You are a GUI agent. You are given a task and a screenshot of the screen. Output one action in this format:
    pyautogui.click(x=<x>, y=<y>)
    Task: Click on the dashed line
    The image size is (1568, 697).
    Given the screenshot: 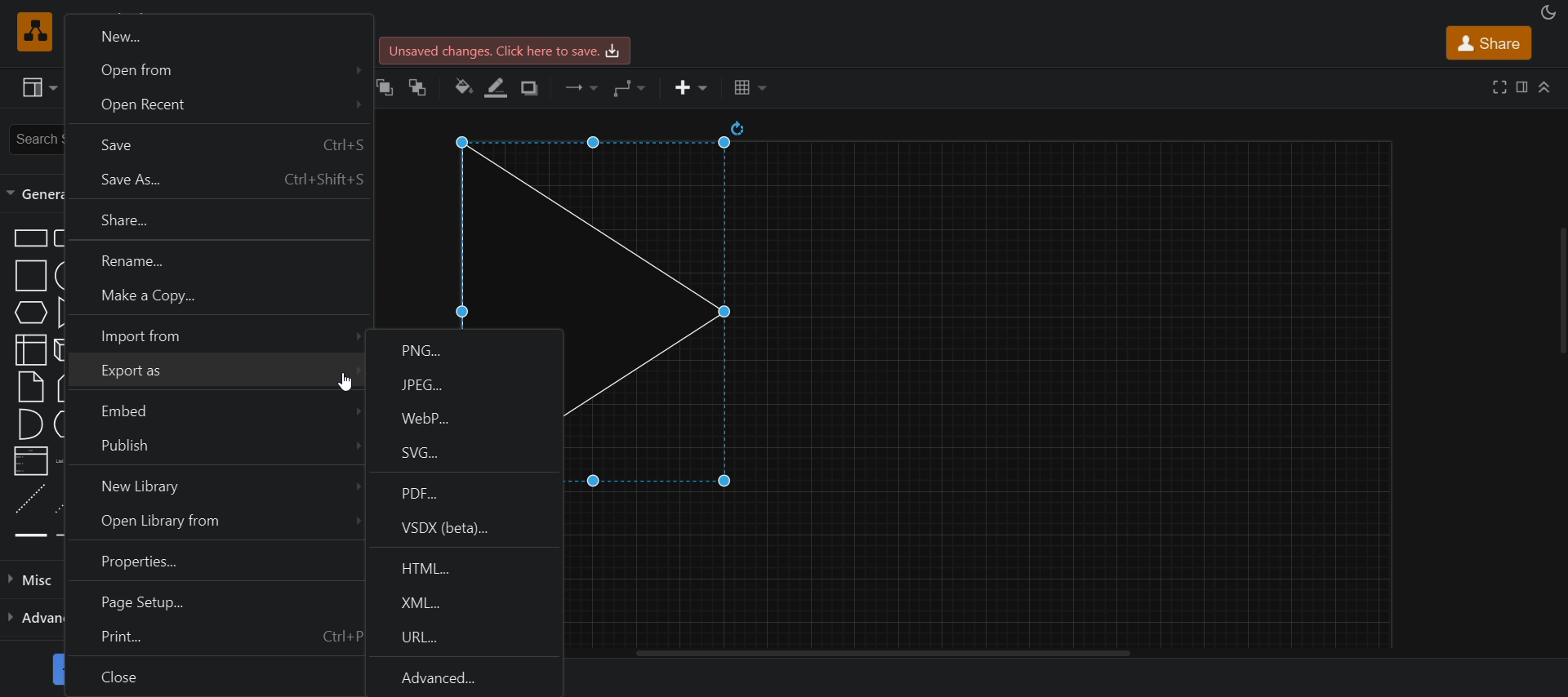 What is the action you would take?
    pyautogui.click(x=30, y=498)
    